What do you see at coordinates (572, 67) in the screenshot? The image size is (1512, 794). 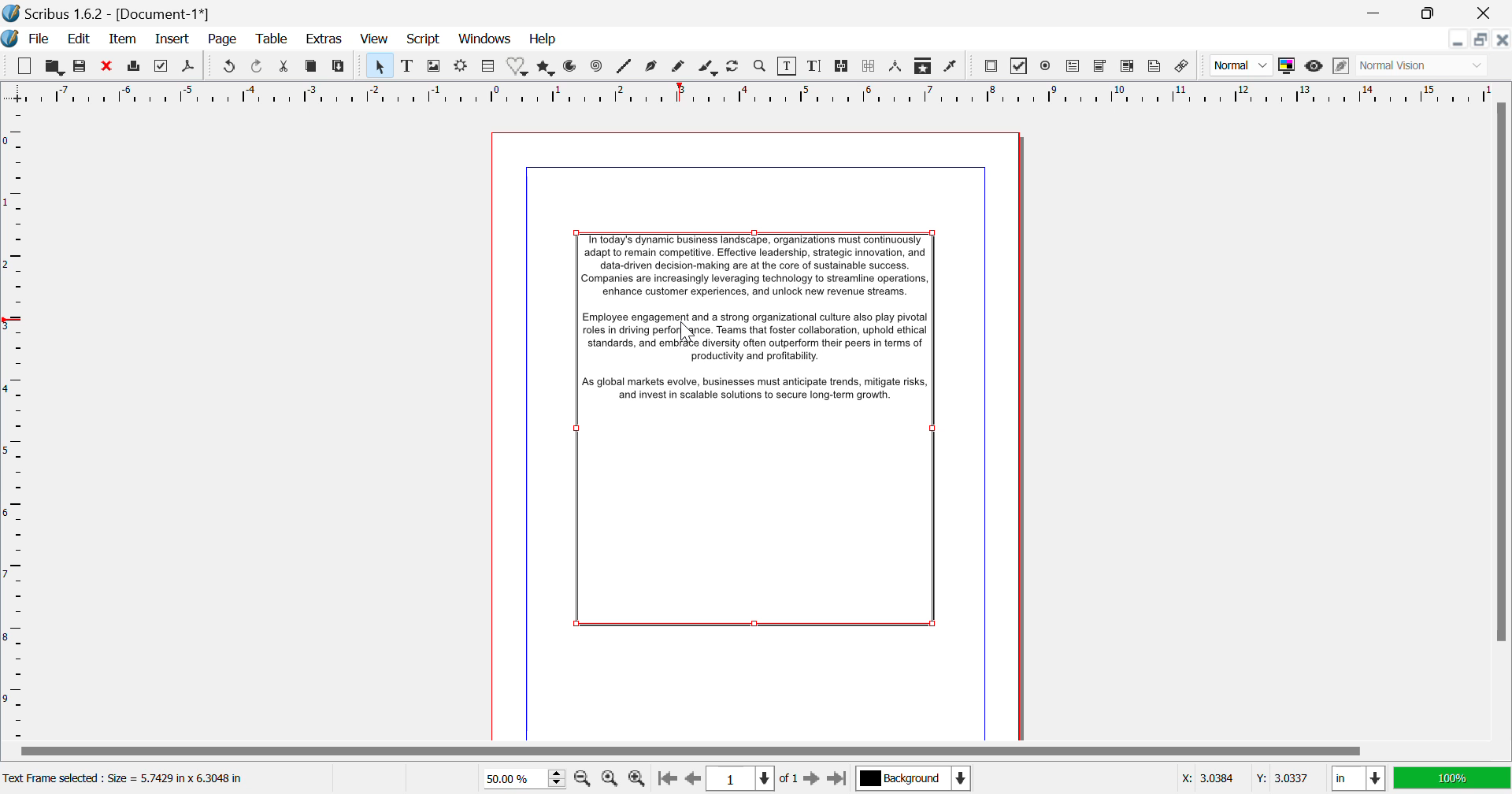 I see `Arcs` at bounding box center [572, 67].